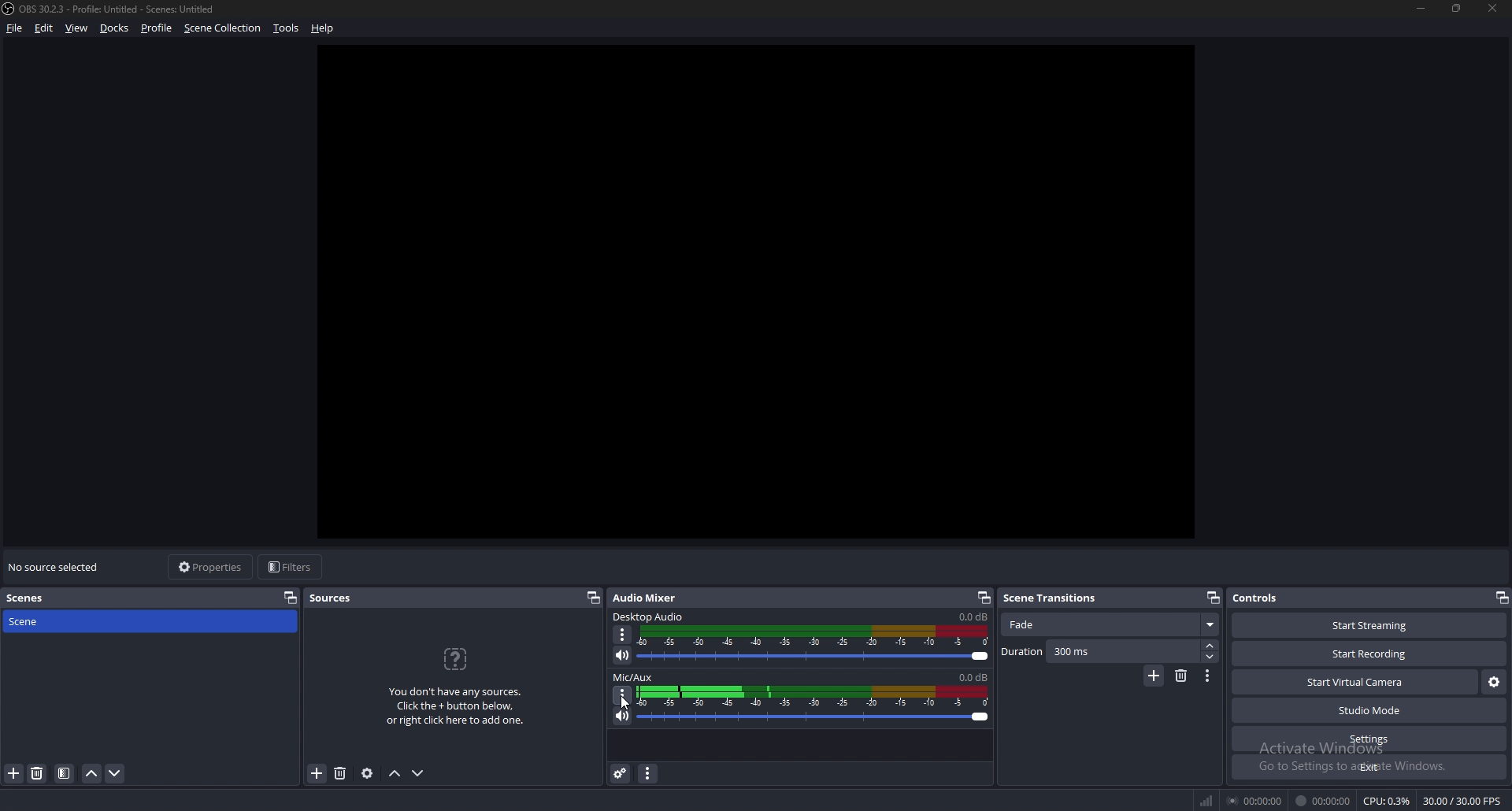 This screenshot has height=811, width=1512. I want to click on edit, so click(44, 28).